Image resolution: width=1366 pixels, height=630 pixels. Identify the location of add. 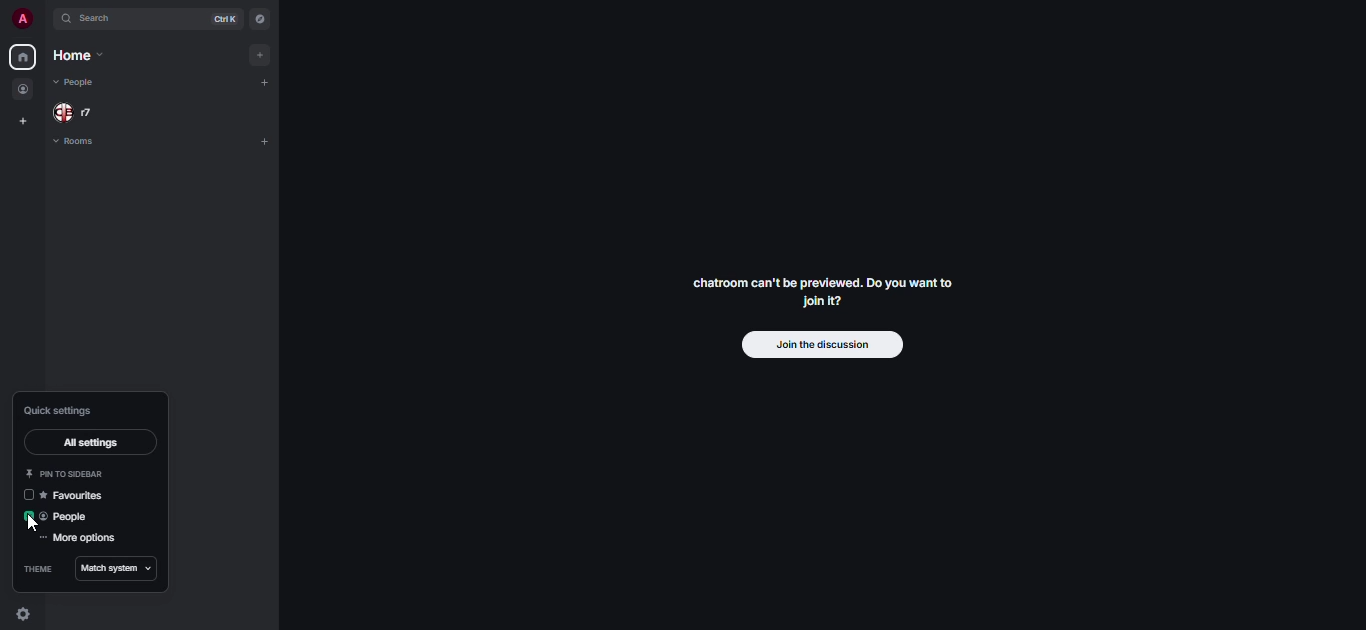
(266, 54).